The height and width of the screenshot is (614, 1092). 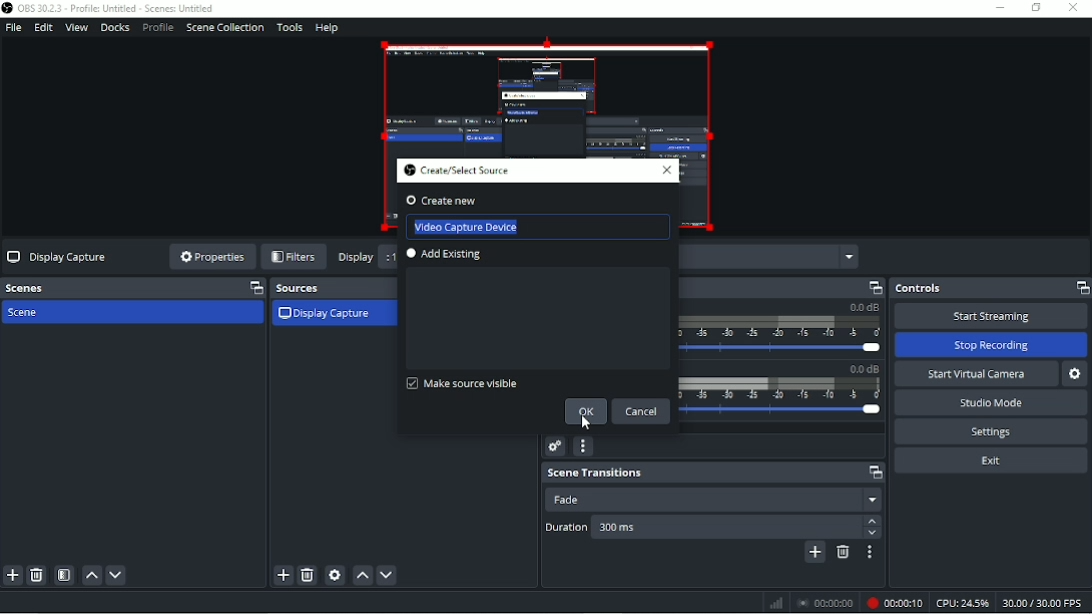 What do you see at coordinates (112, 9) in the screenshot?
I see `0BS 30.2.3 - Profile: Untitled - Scenes: Untitled` at bounding box center [112, 9].